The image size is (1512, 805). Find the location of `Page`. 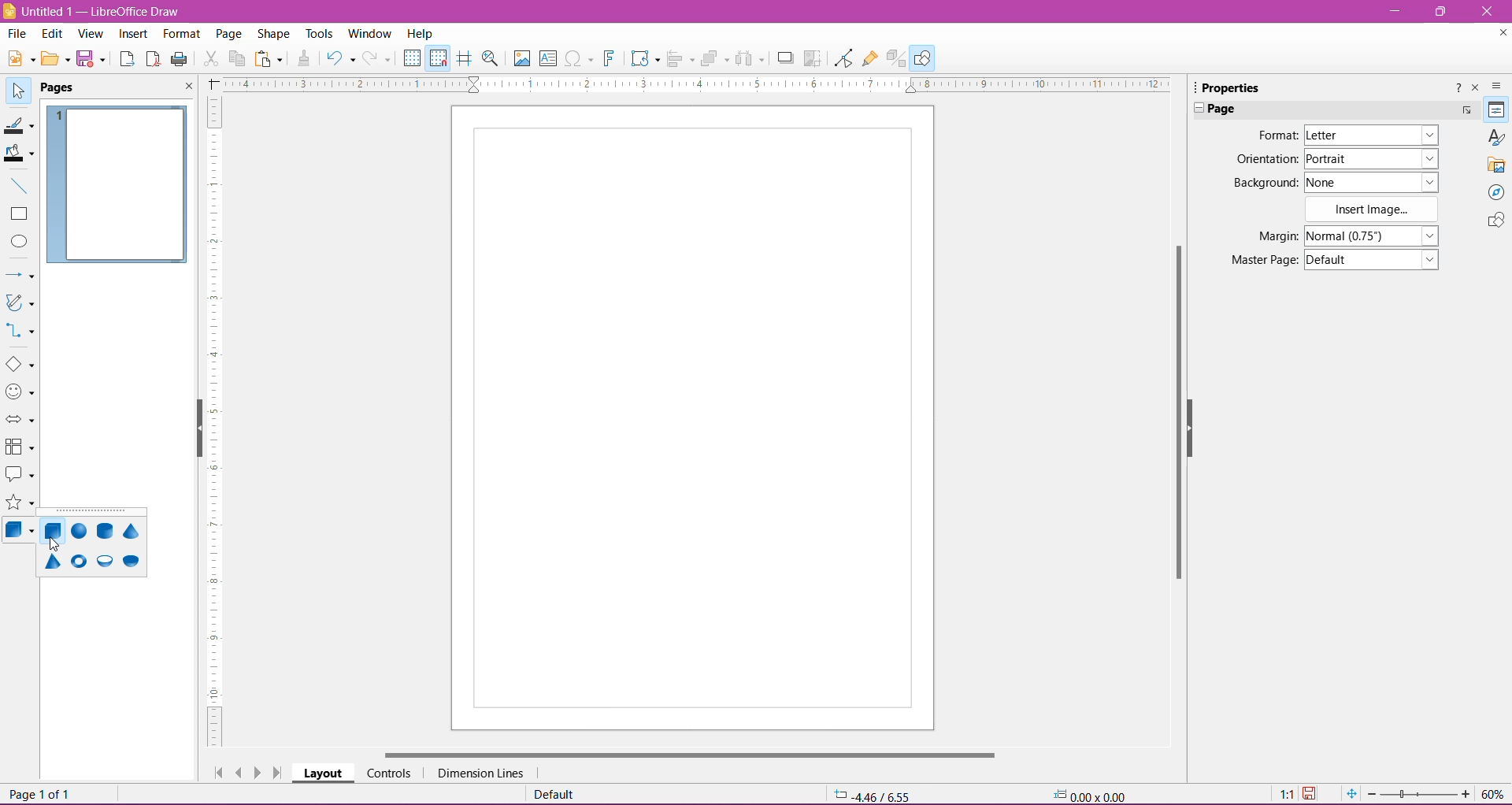

Page is located at coordinates (228, 36).